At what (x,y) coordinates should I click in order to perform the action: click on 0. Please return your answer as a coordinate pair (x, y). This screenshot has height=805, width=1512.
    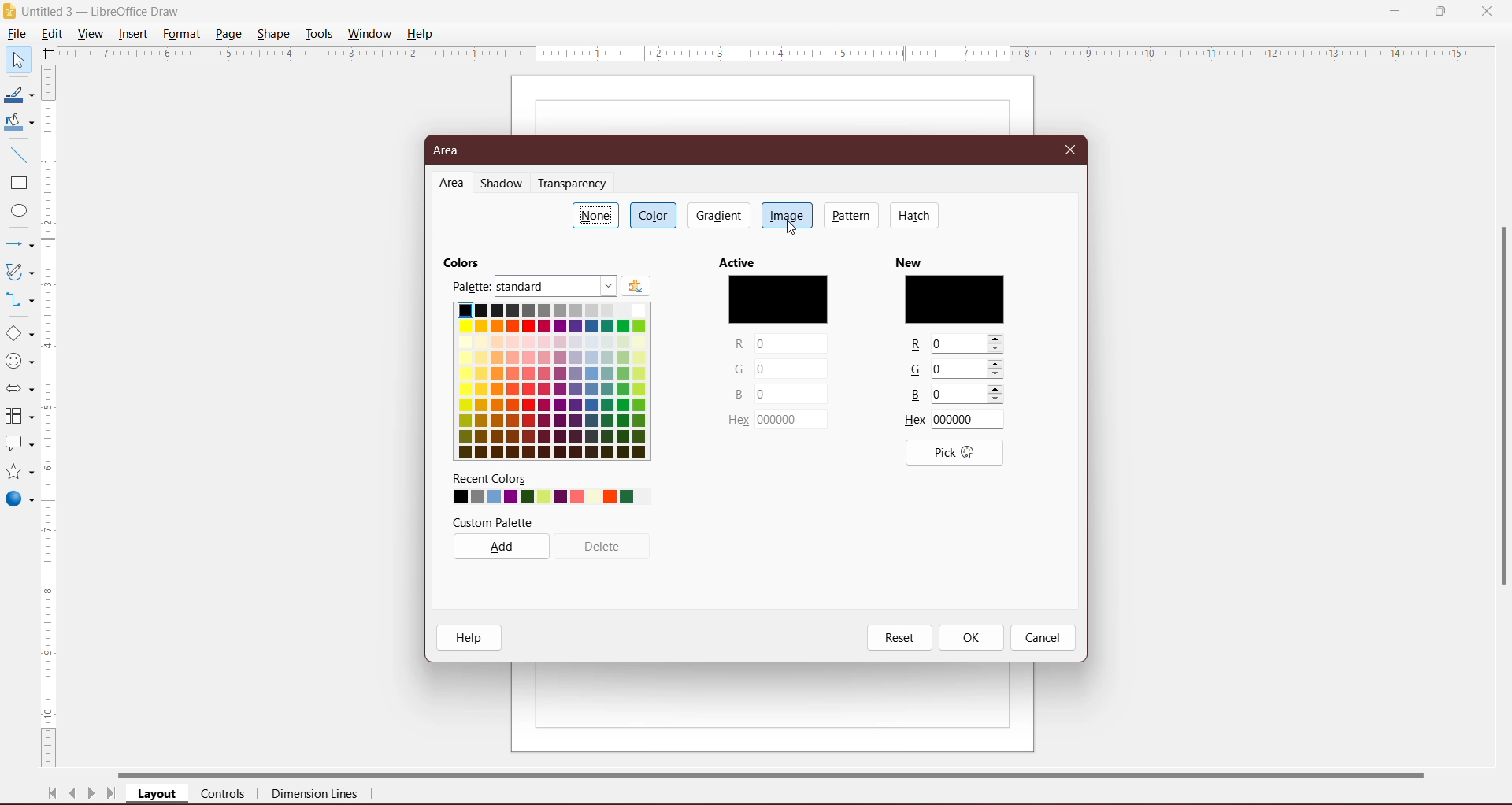
    Looking at the image, I should click on (966, 395).